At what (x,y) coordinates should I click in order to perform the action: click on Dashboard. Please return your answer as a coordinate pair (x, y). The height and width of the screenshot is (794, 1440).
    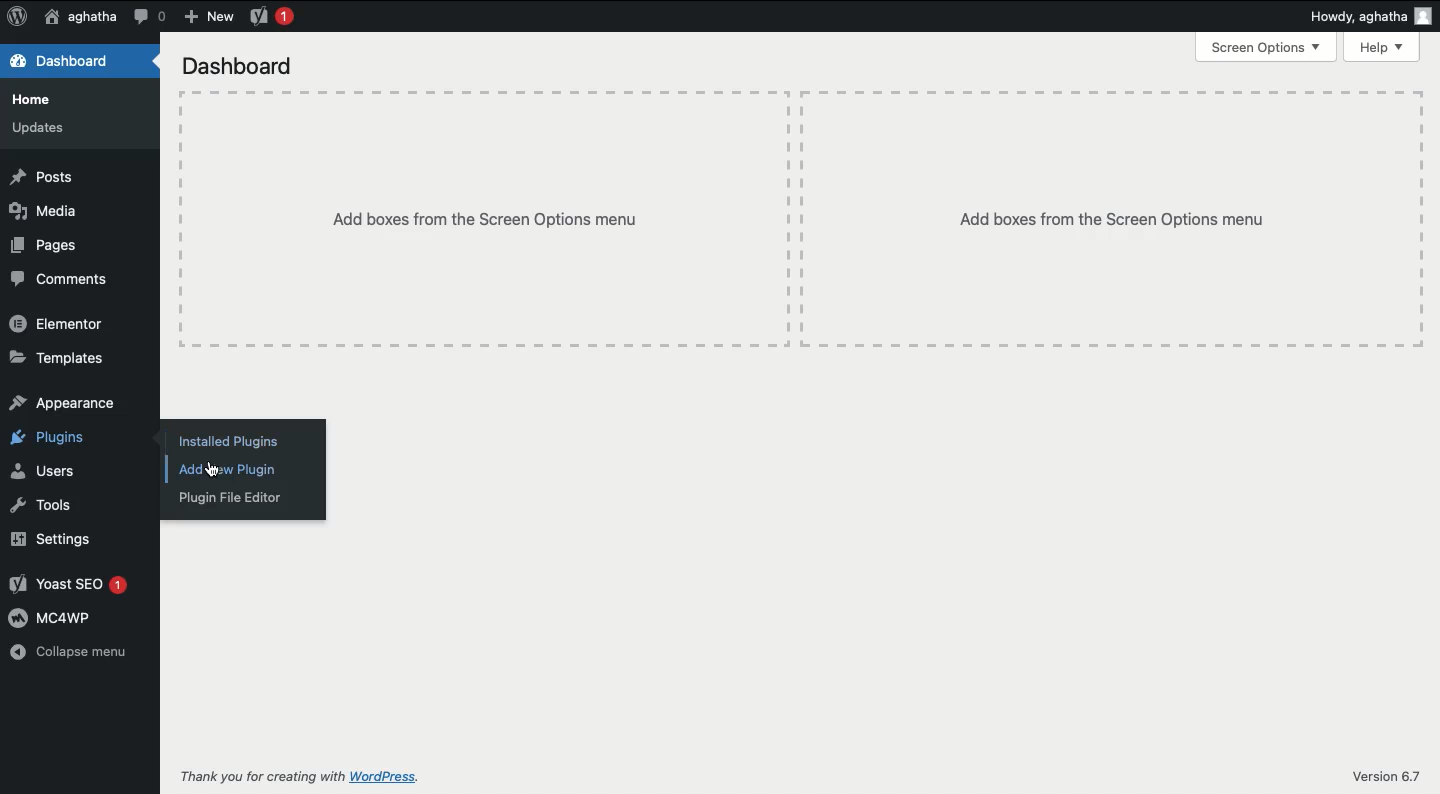
    Looking at the image, I should click on (242, 67).